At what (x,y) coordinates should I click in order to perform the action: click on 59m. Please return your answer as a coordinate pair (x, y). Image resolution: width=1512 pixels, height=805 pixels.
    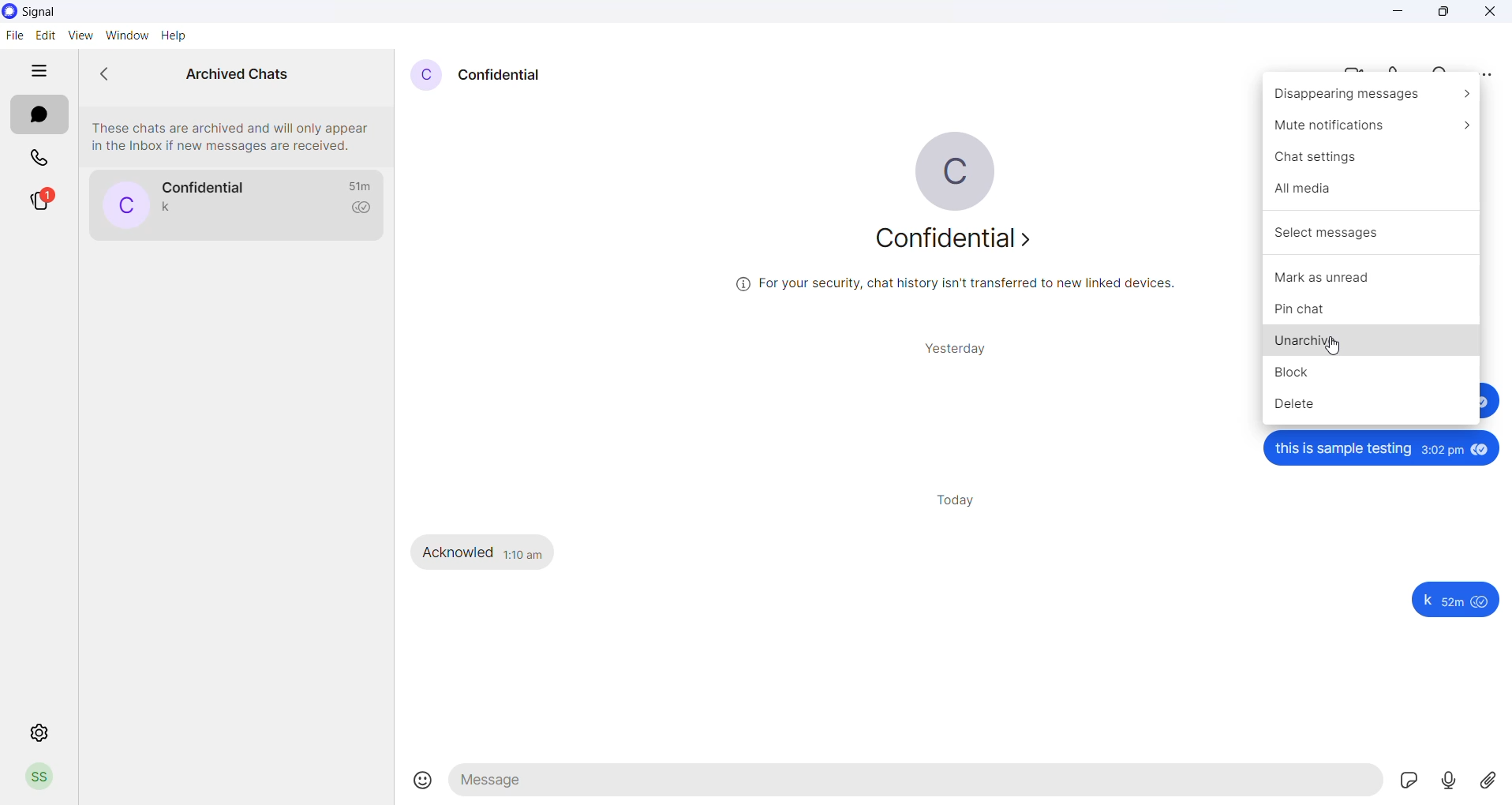
    Looking at the image, I should click on (1455, 605).